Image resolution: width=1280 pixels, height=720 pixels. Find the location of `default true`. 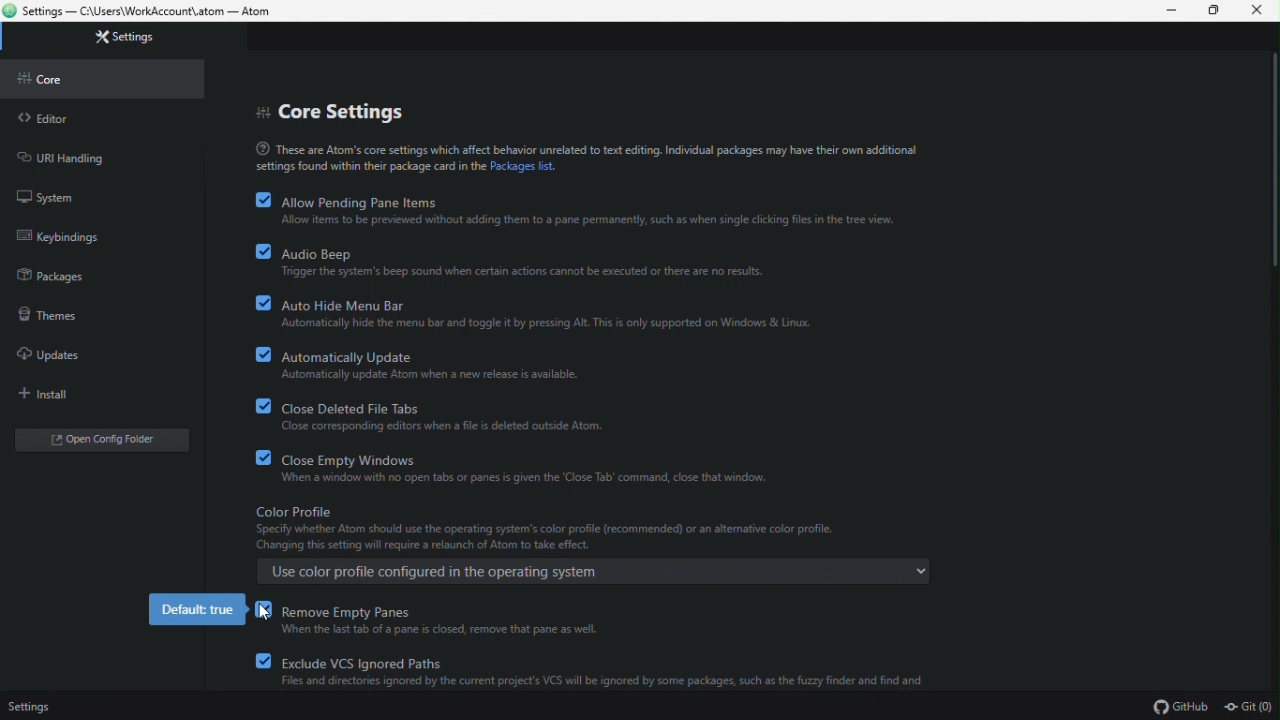

default true is located at coordinates (197, 611).